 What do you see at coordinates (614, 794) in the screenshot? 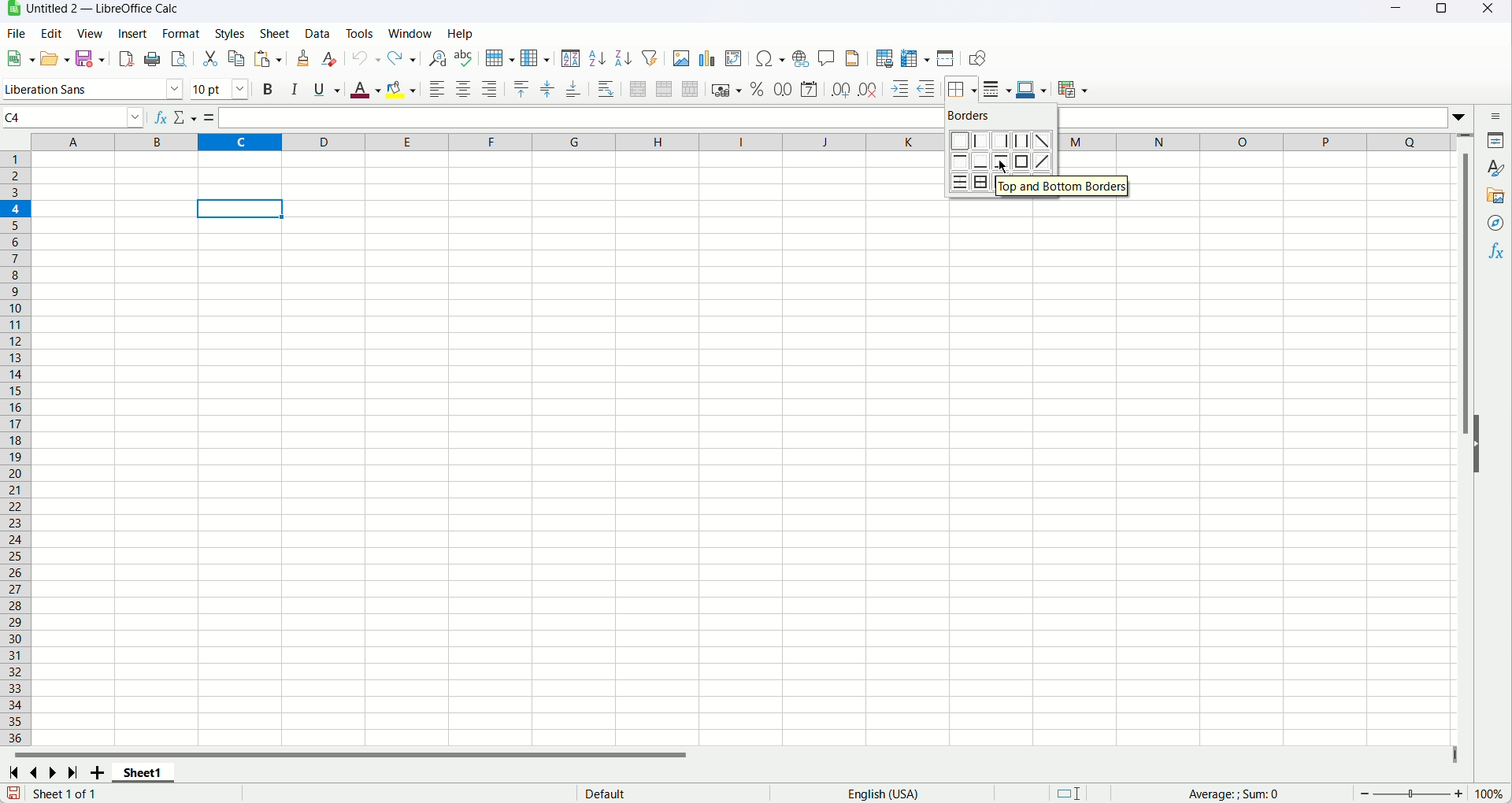
I see `text` at bounding box center [614, 794].